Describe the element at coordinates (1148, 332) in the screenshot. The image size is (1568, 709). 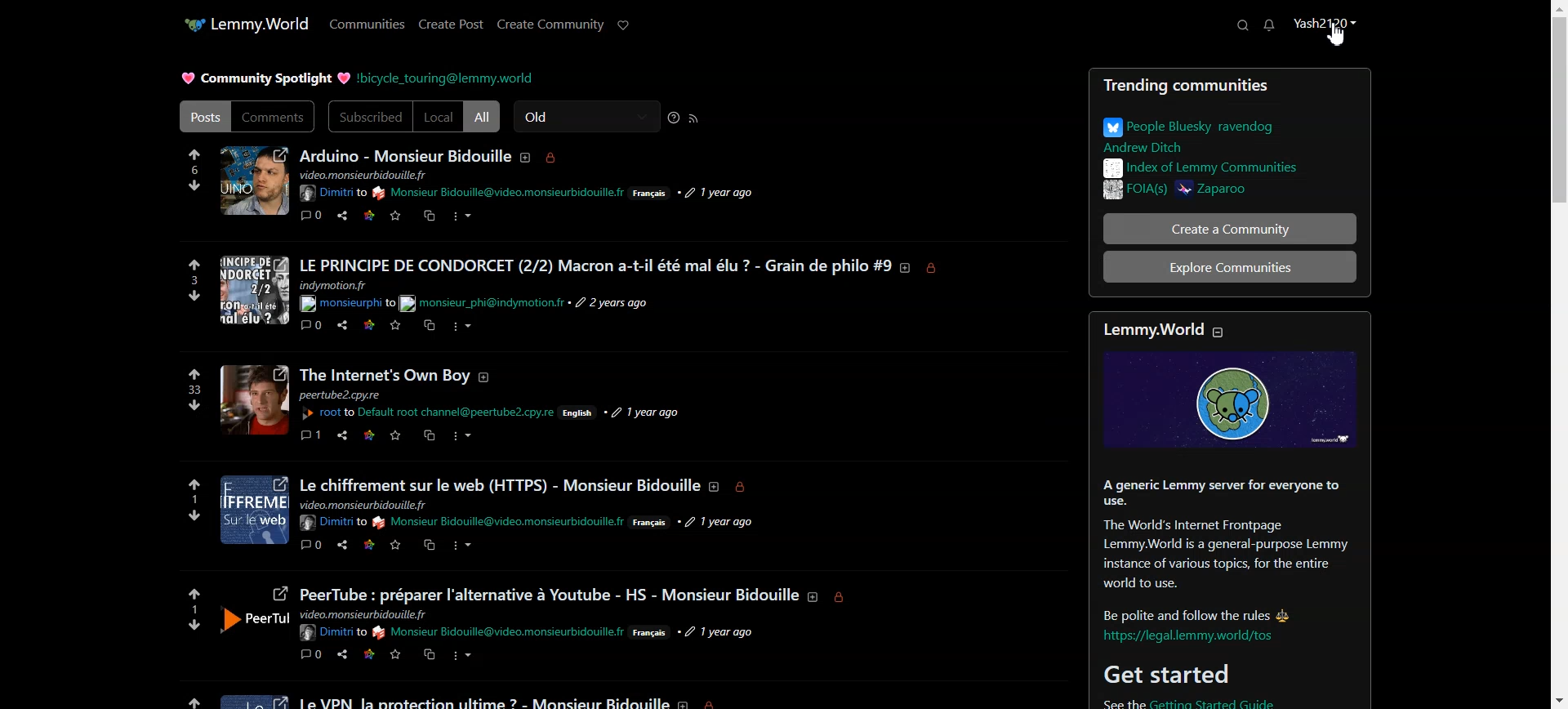
I see `Text` at that location.